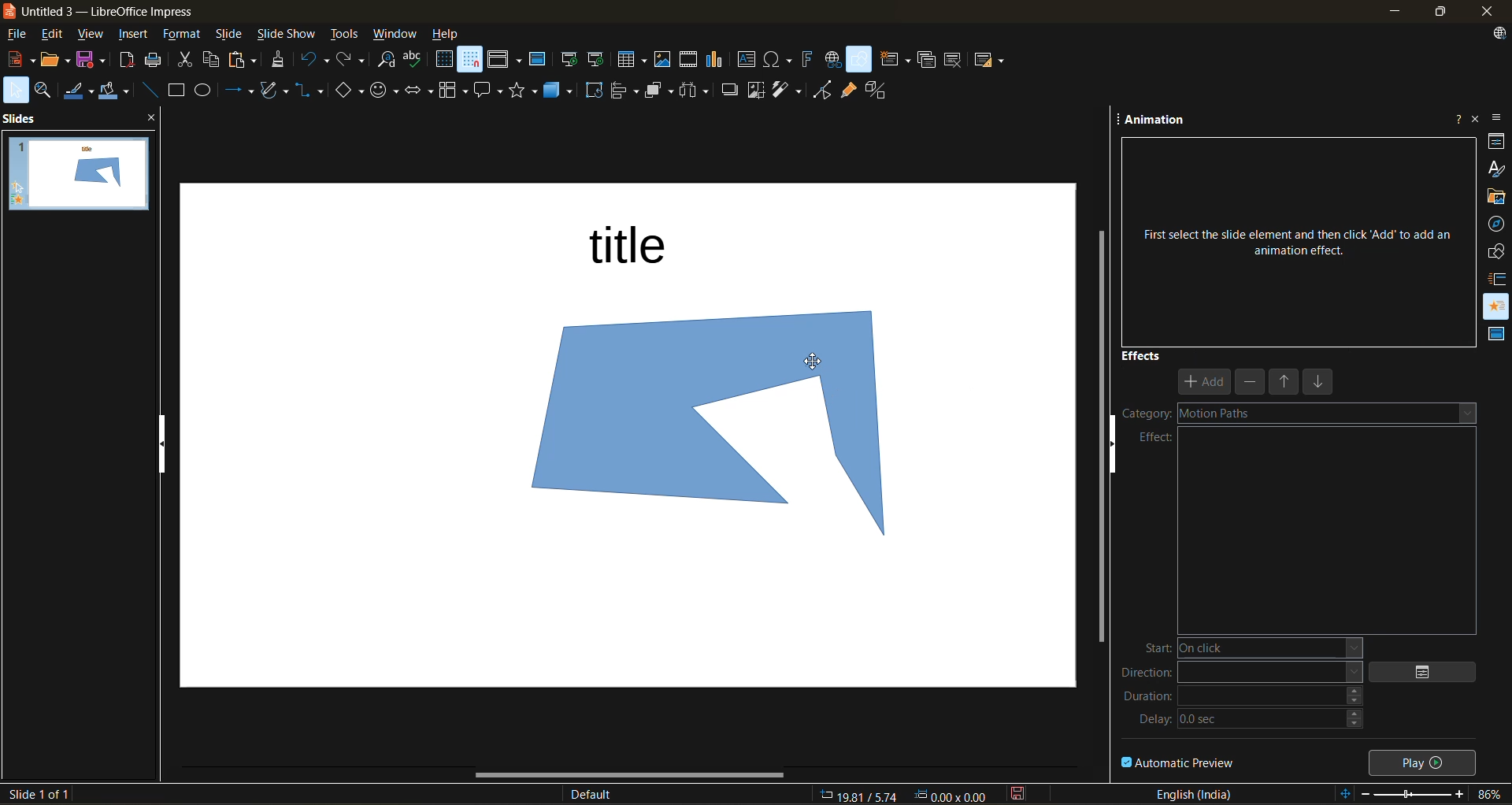 The image size is (1512, 805). What do you see at coordinates (876, 91) in the screenshot?
I see `toggle extrusion` at bounding box center [876, 91].